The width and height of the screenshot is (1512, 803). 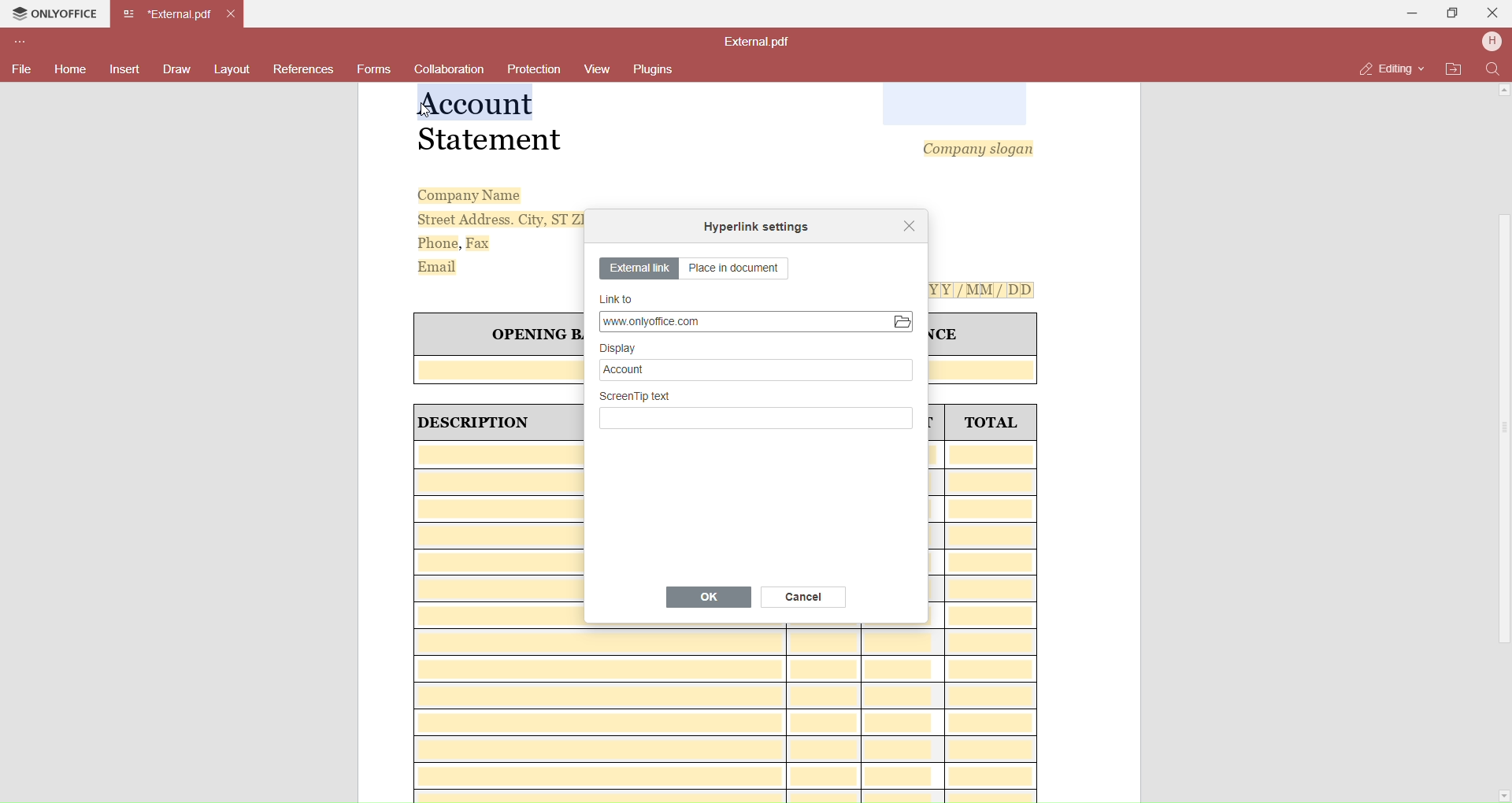 I want to click on Open, so click(x=906, y=320).